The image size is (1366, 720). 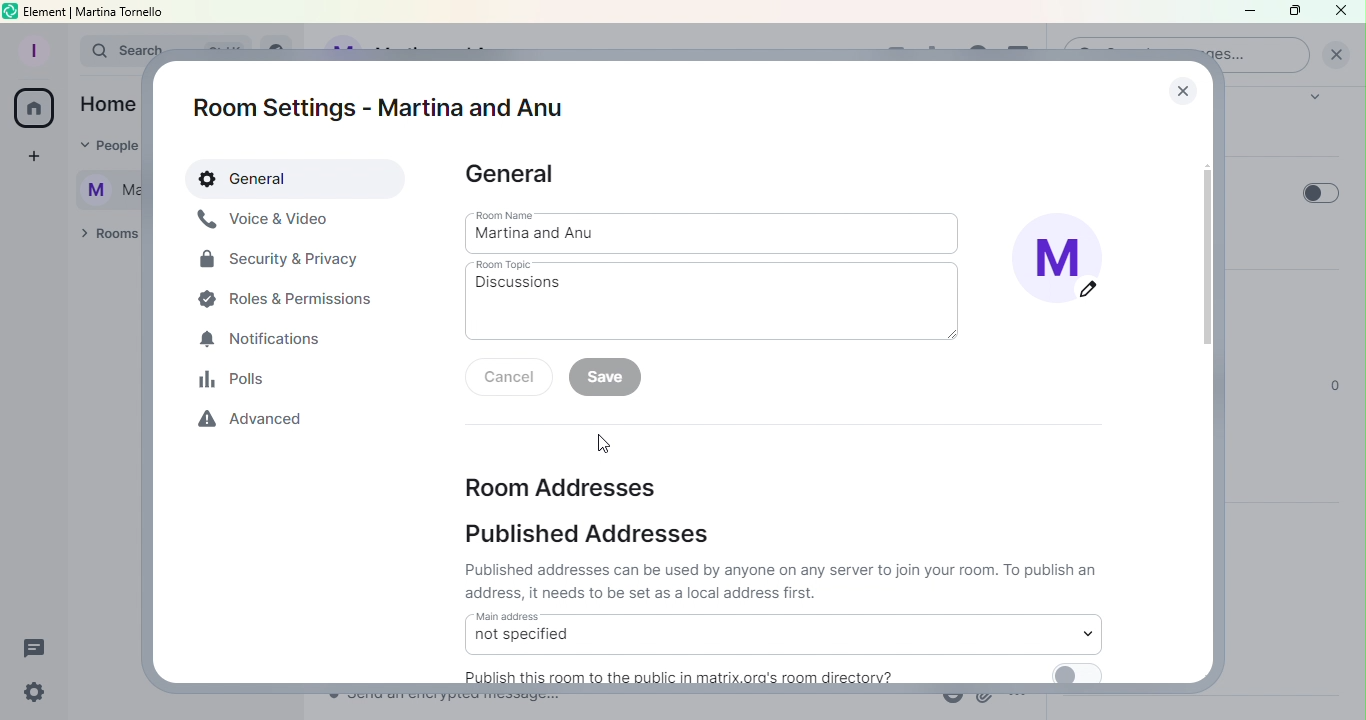 I want to click on Advanced, so click(x=256, y=423).